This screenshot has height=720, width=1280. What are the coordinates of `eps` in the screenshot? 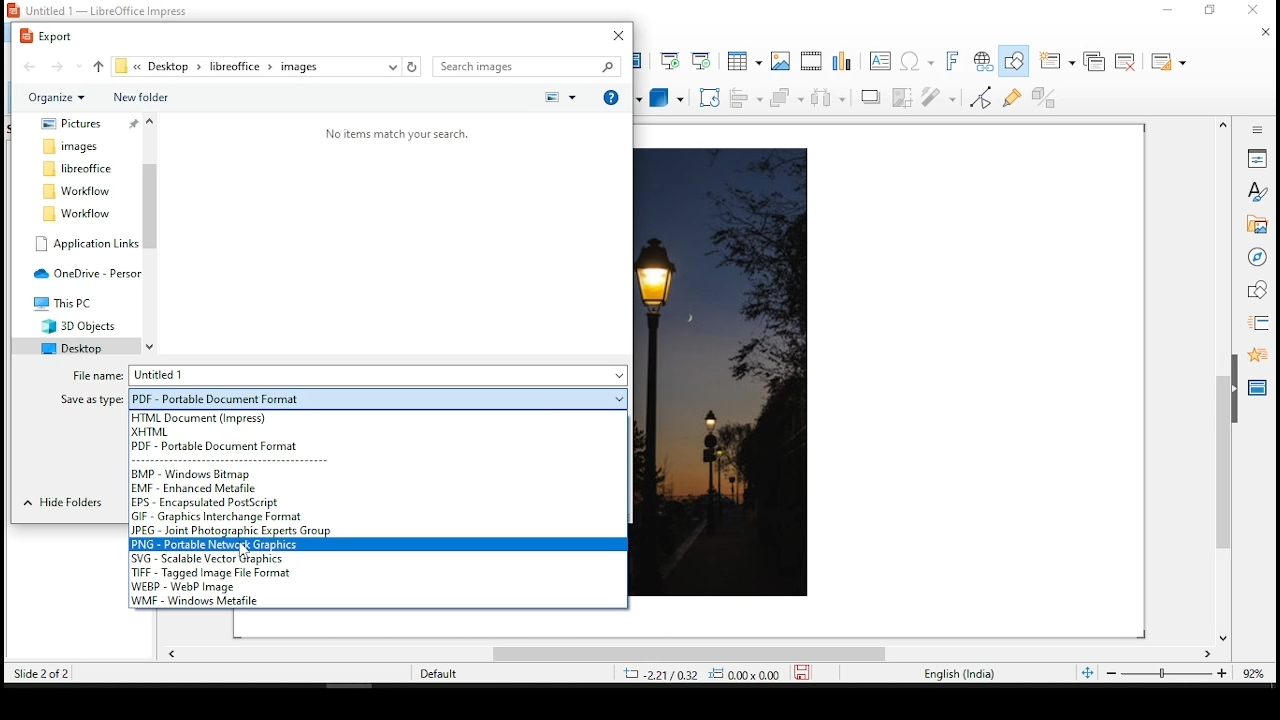 It's located at (210, 503).